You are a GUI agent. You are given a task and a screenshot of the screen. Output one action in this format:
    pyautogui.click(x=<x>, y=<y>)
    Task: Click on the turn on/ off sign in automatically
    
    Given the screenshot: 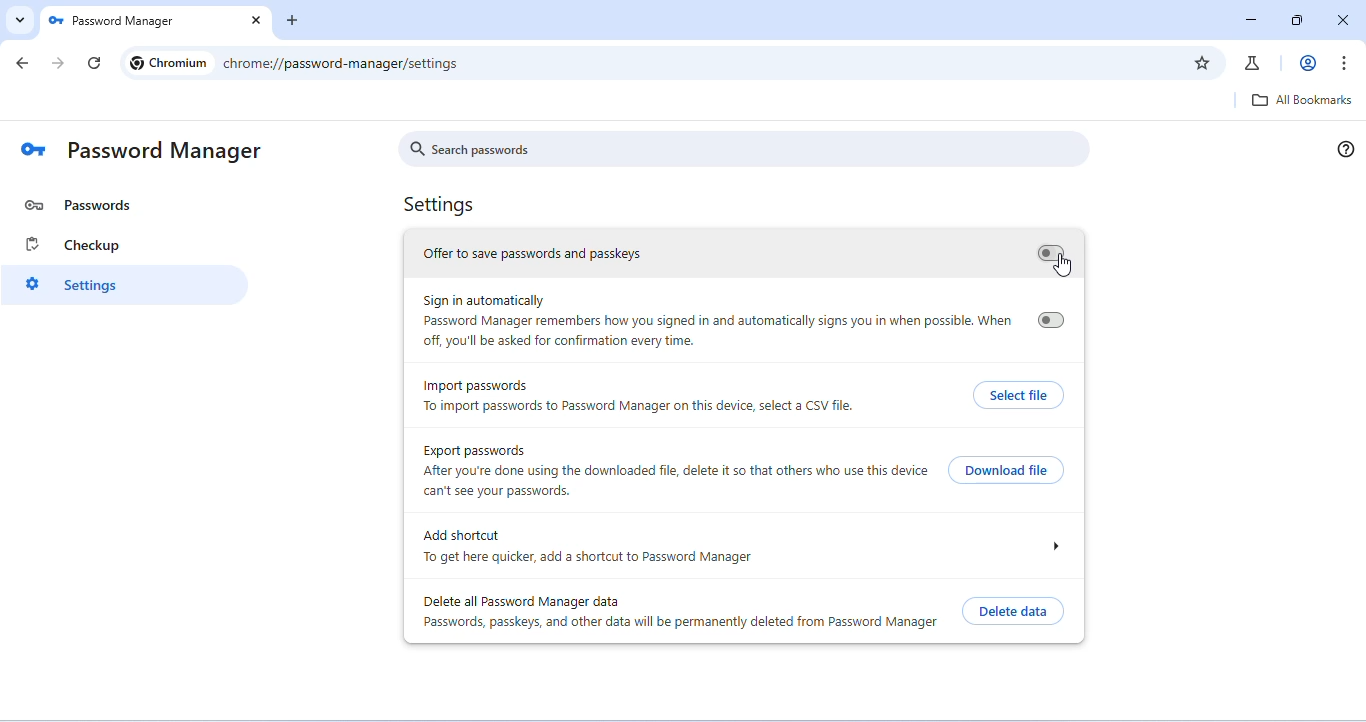 What is the action you would take?
    pyautogui.click(x=1053, y=319)
    